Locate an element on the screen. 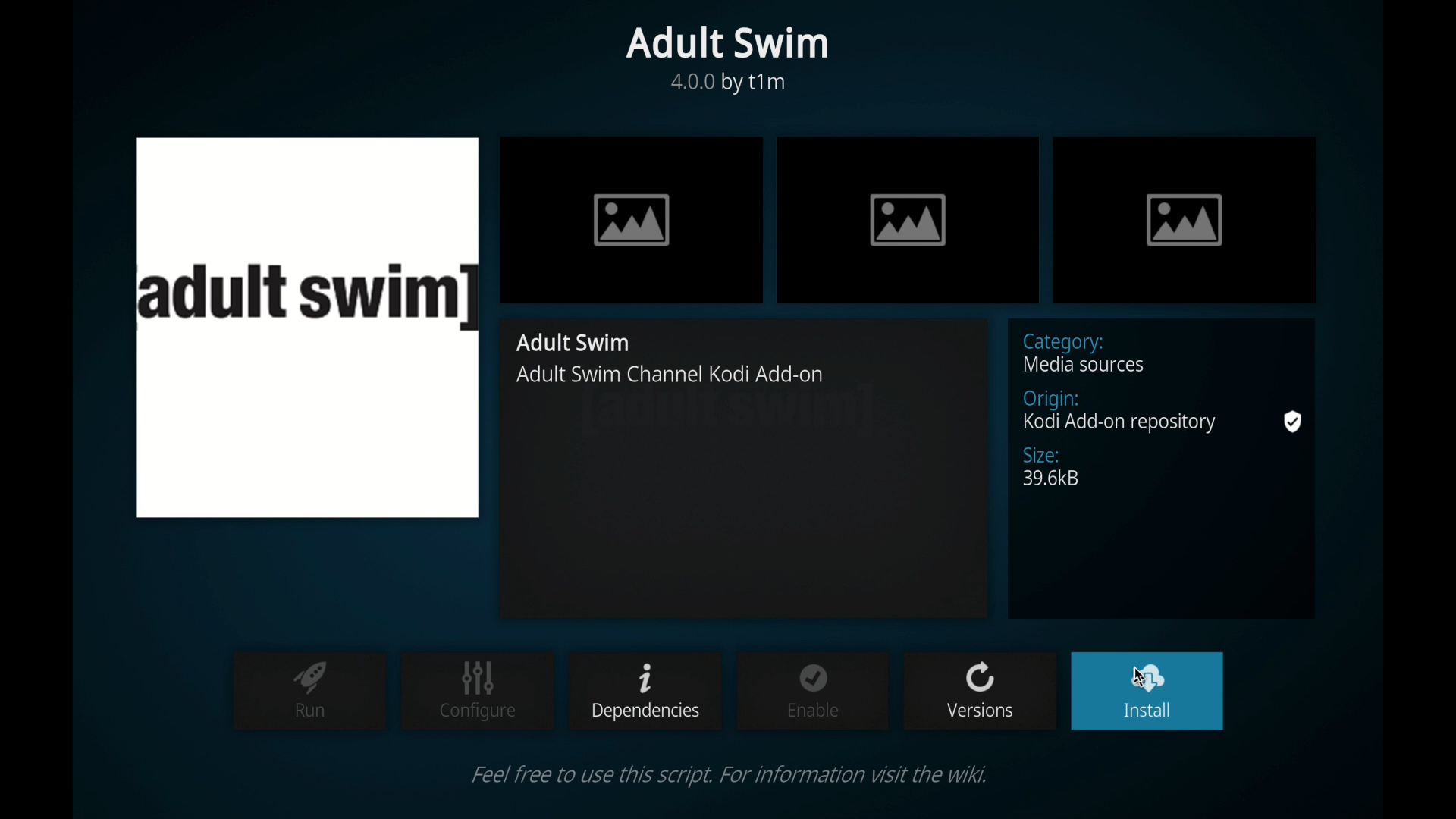 The image size is (1456, 819). adult swim is located at coordinates (726, 43).